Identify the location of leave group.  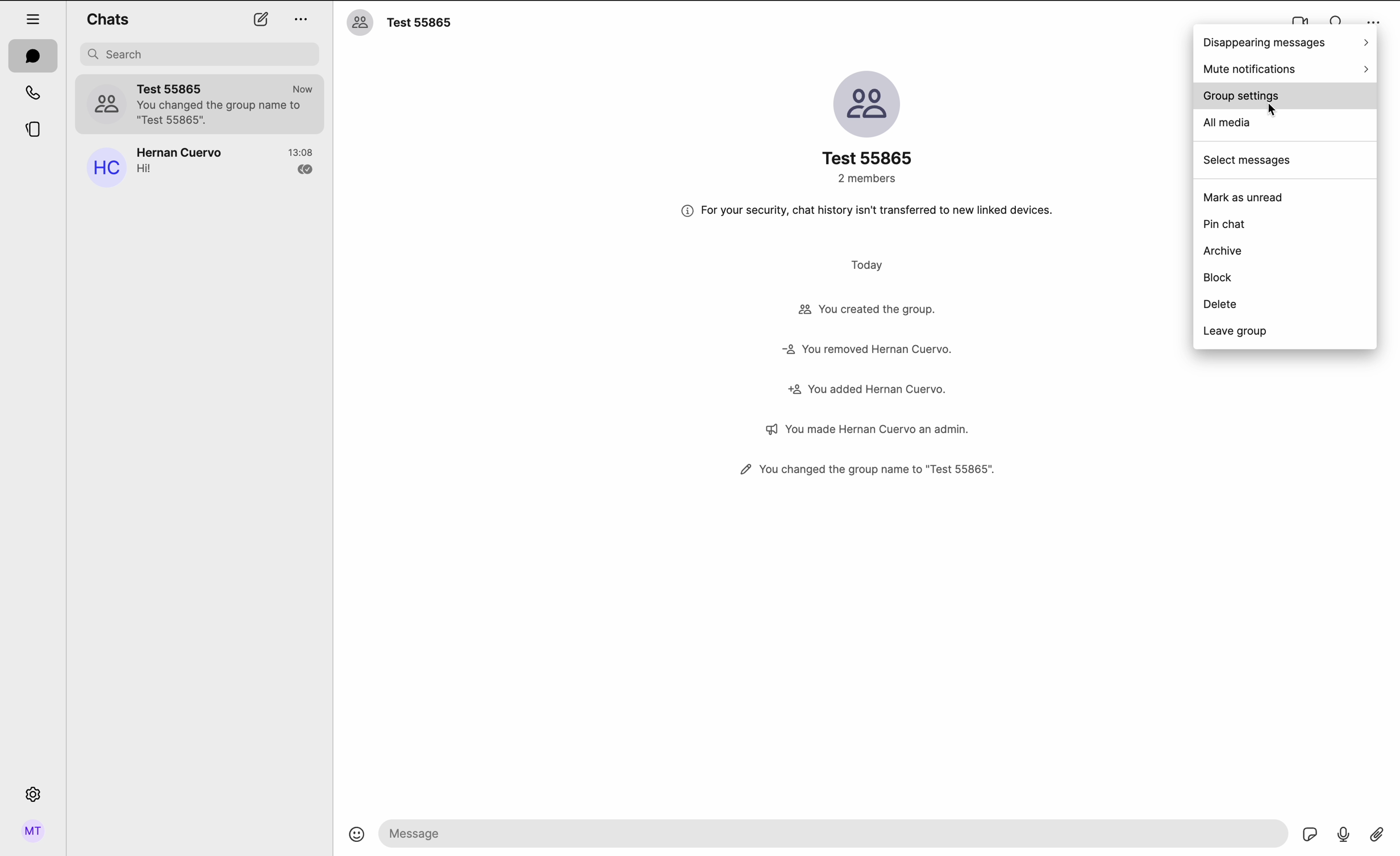
(1233, 331).